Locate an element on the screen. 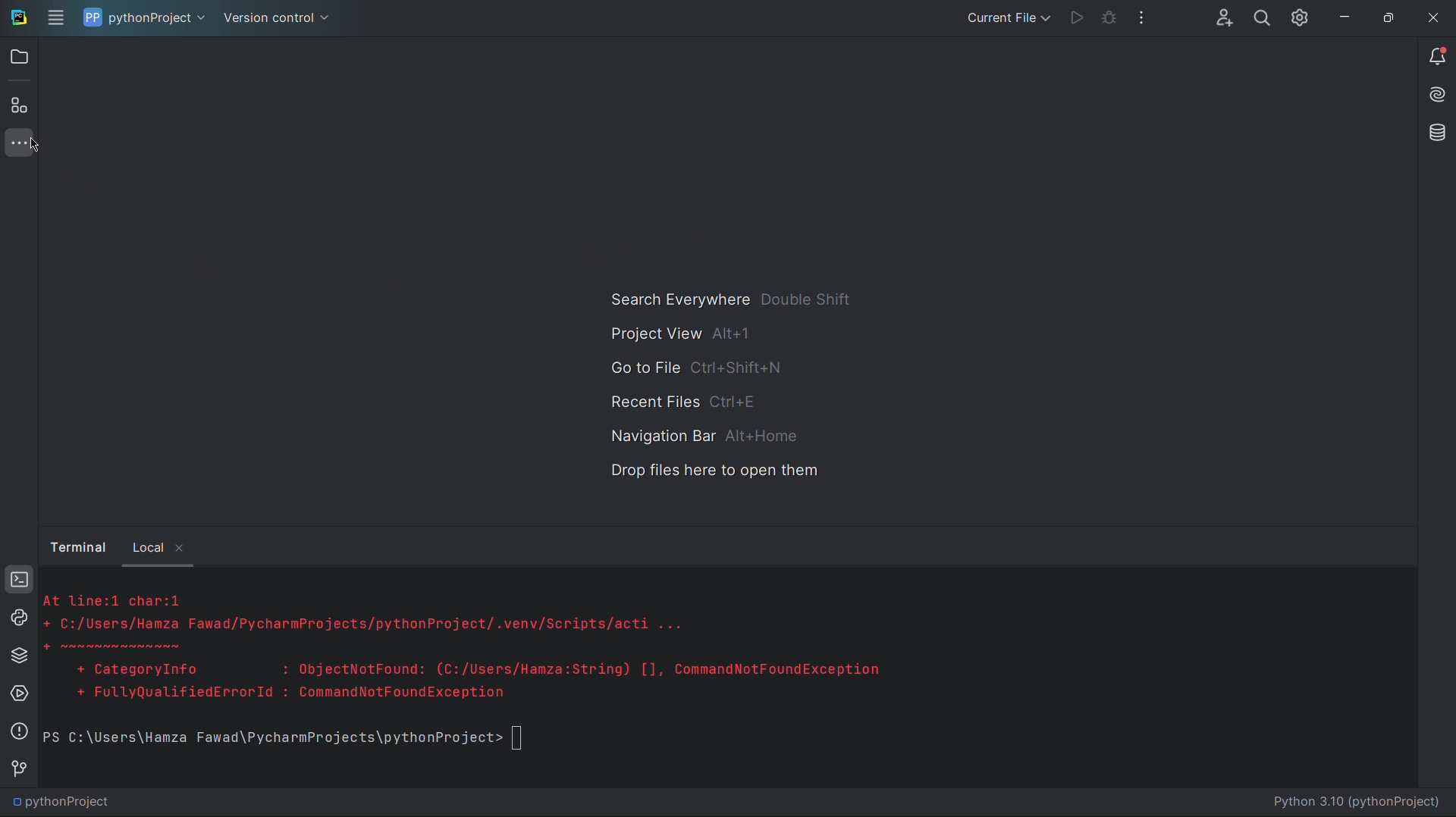  Settings is located at coordinates (1298, 19).